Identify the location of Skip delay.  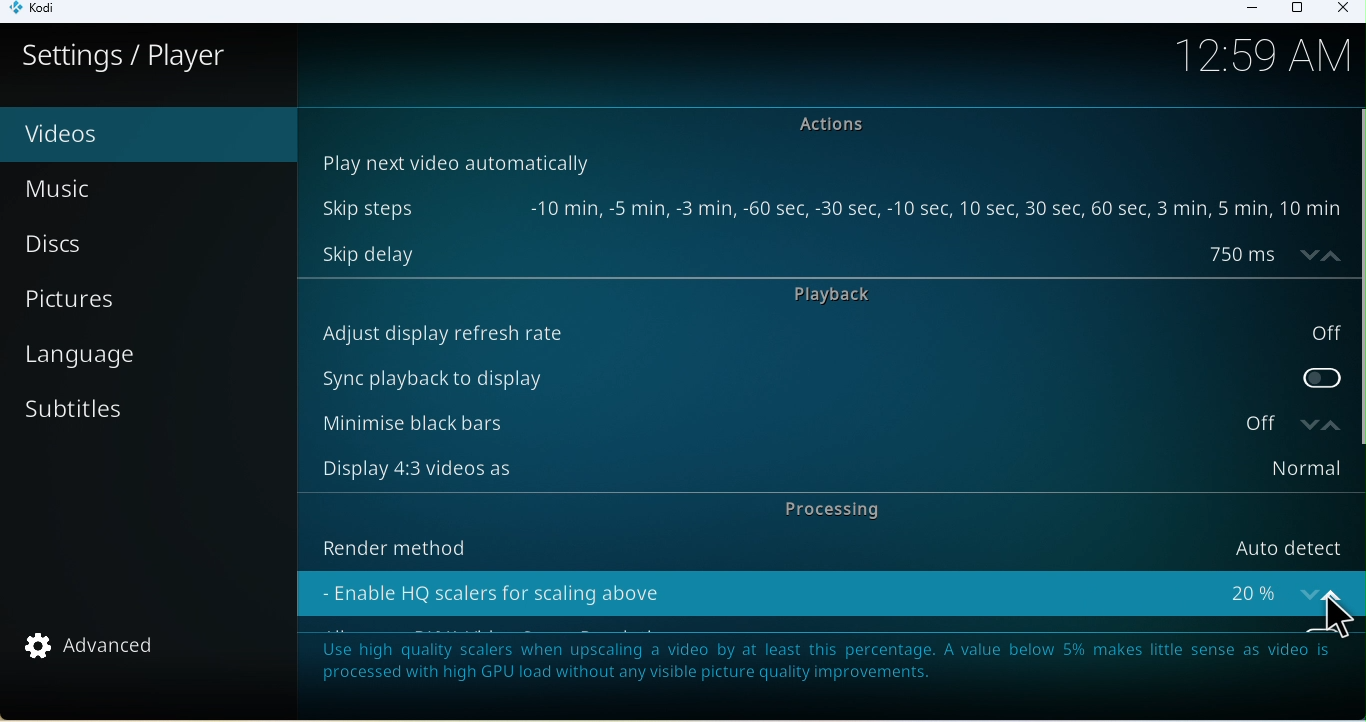
(798, 253).